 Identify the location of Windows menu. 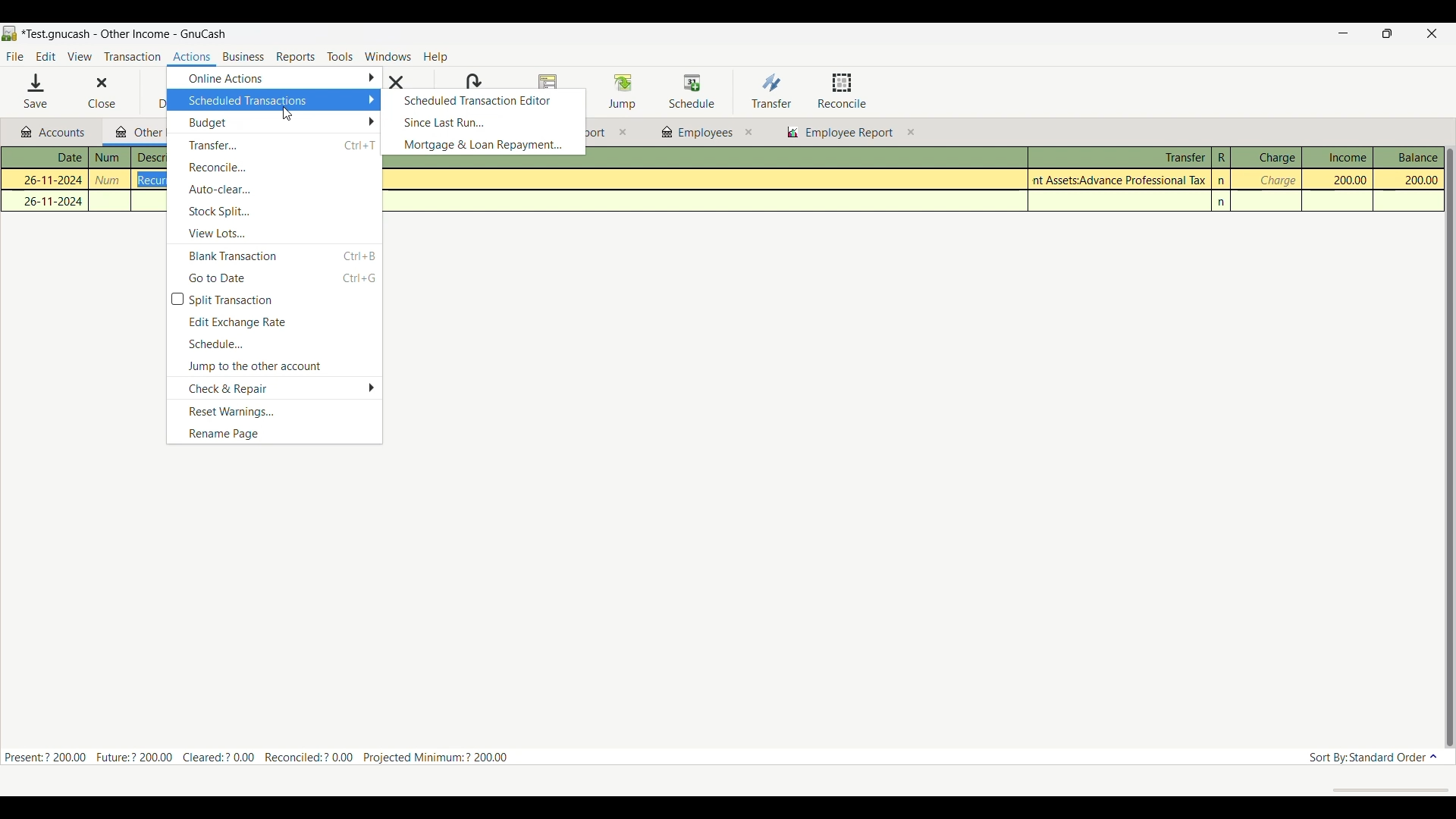
(388, 57).